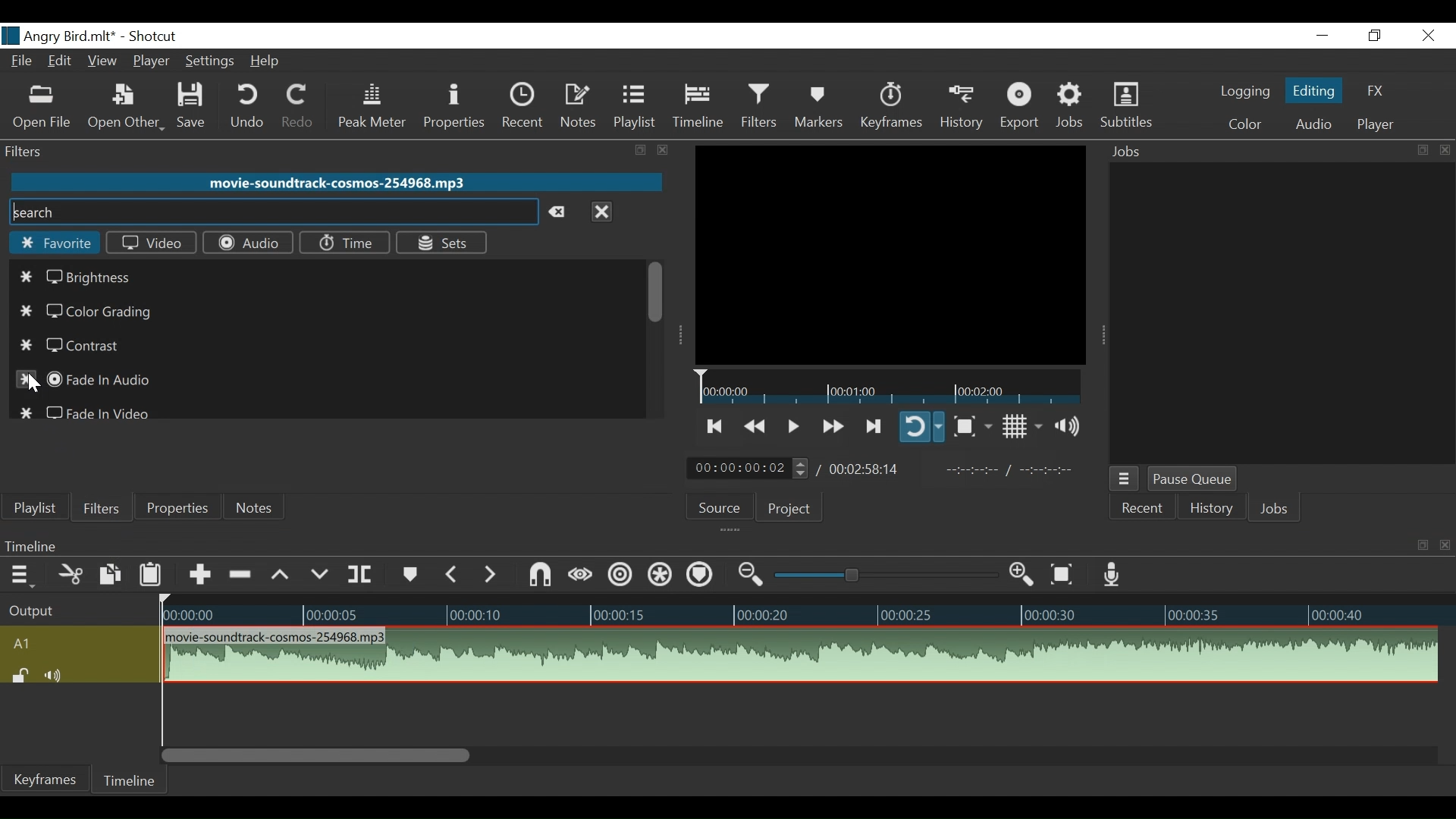 The height and width of the screenshot is (819, 1456). I want to click on Properties, so click(175, 507).